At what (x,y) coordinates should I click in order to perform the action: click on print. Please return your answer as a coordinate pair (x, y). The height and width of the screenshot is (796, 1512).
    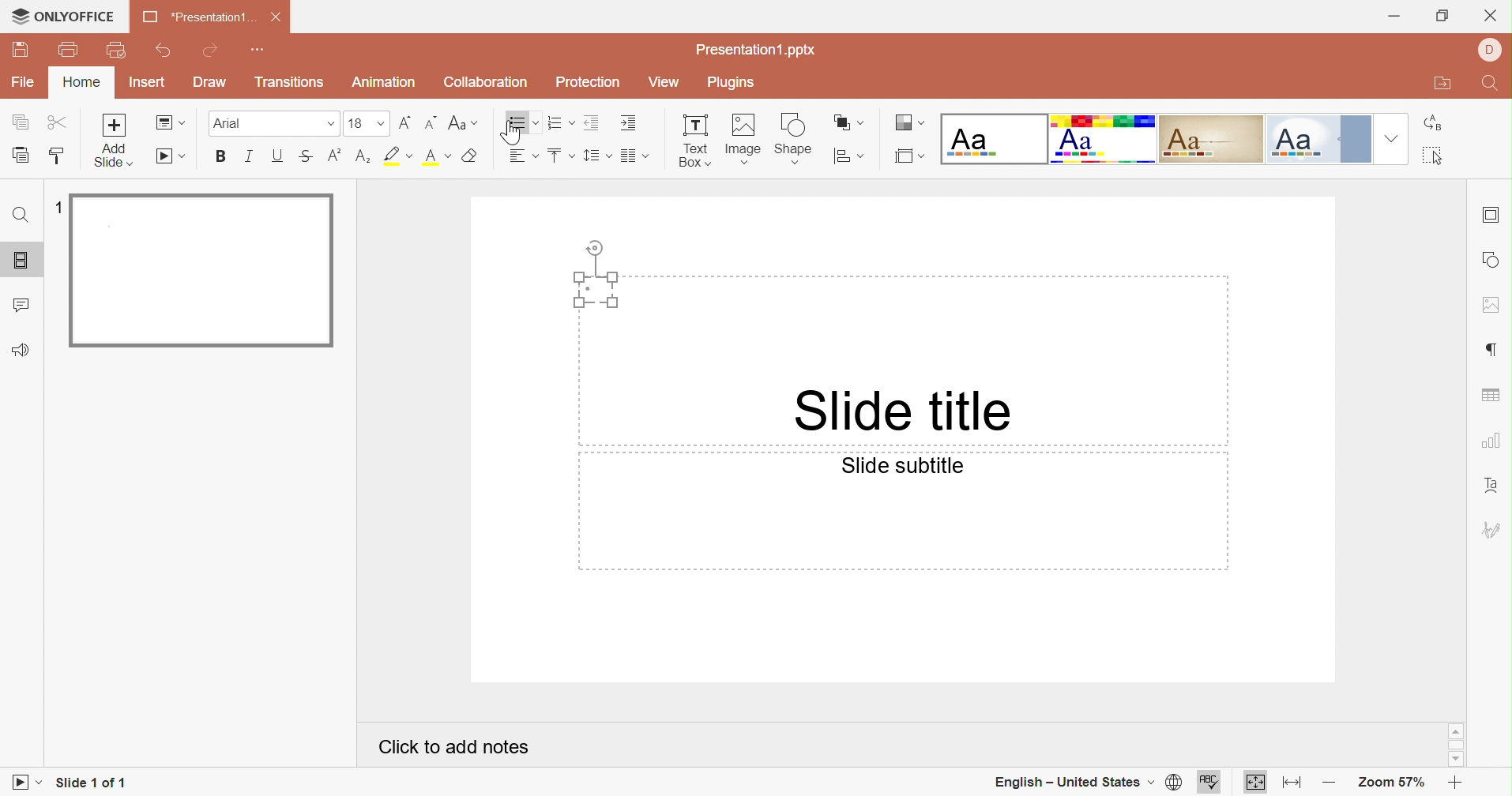
    Looking at the image, I should click on (69, 51).